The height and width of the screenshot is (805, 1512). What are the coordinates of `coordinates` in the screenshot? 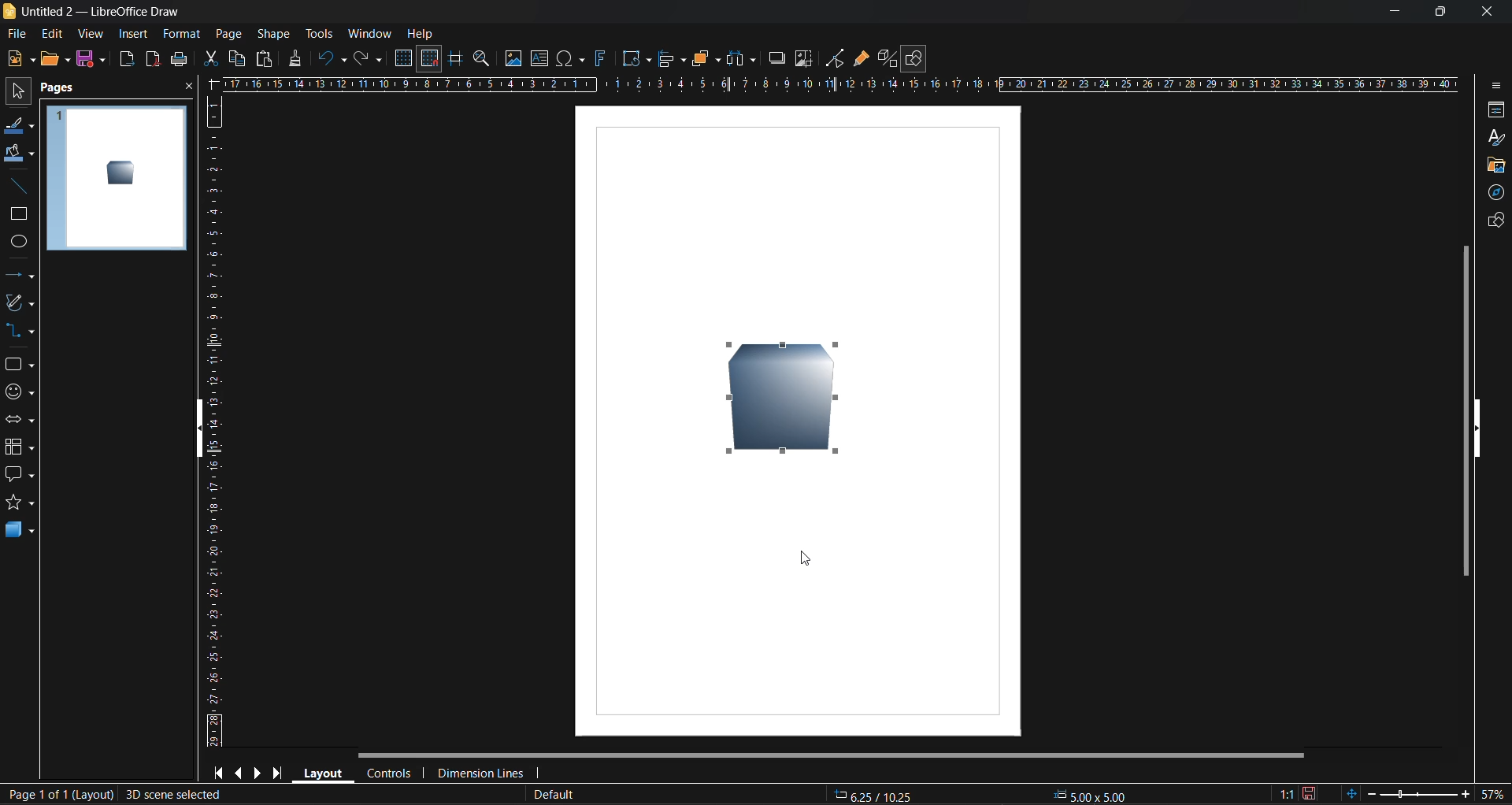 It's located at (988, 794).